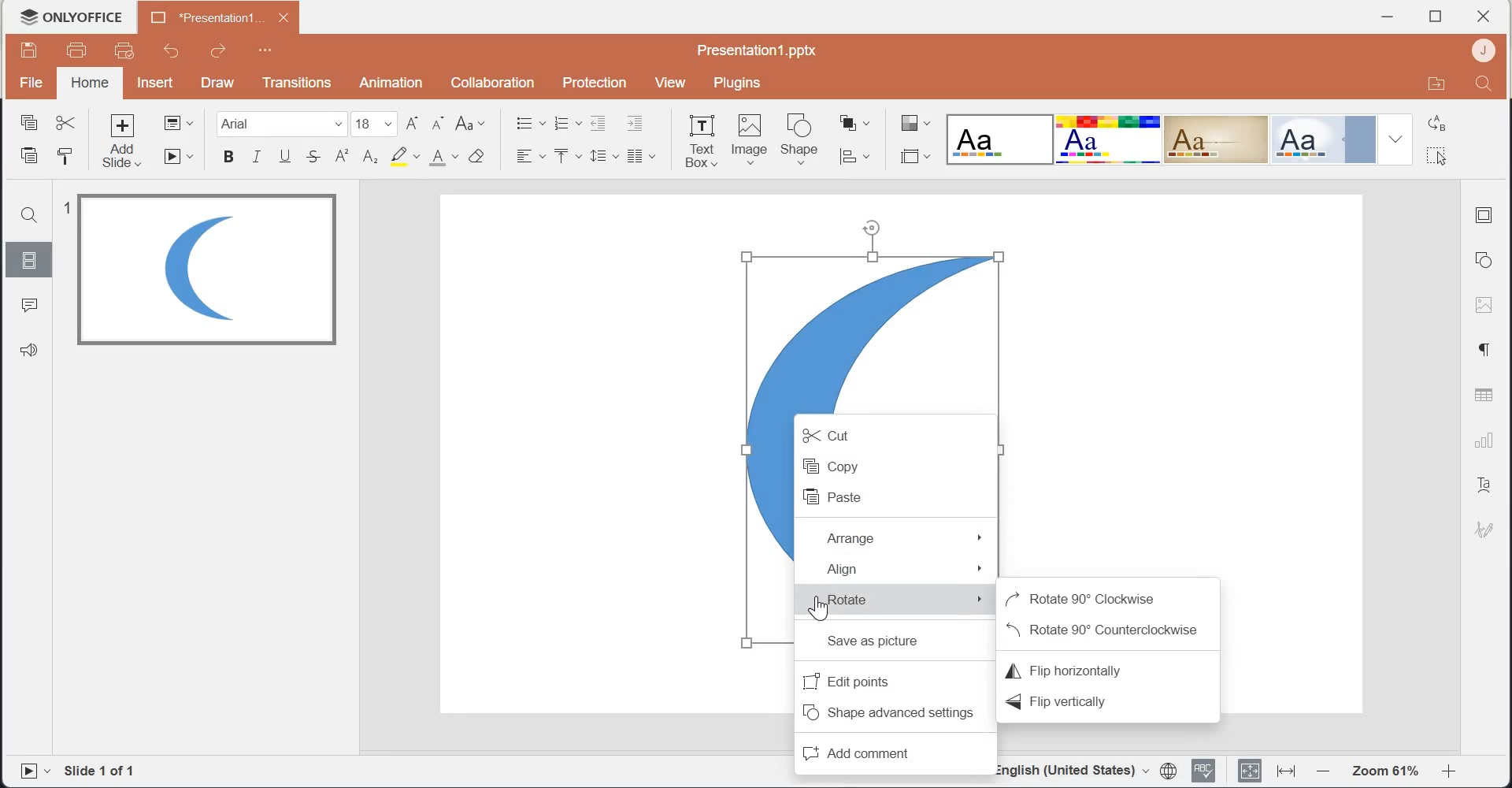  Describe the element at coordinates (1073, 773) in the screenshot. I see `English(United Stated)` at that location.